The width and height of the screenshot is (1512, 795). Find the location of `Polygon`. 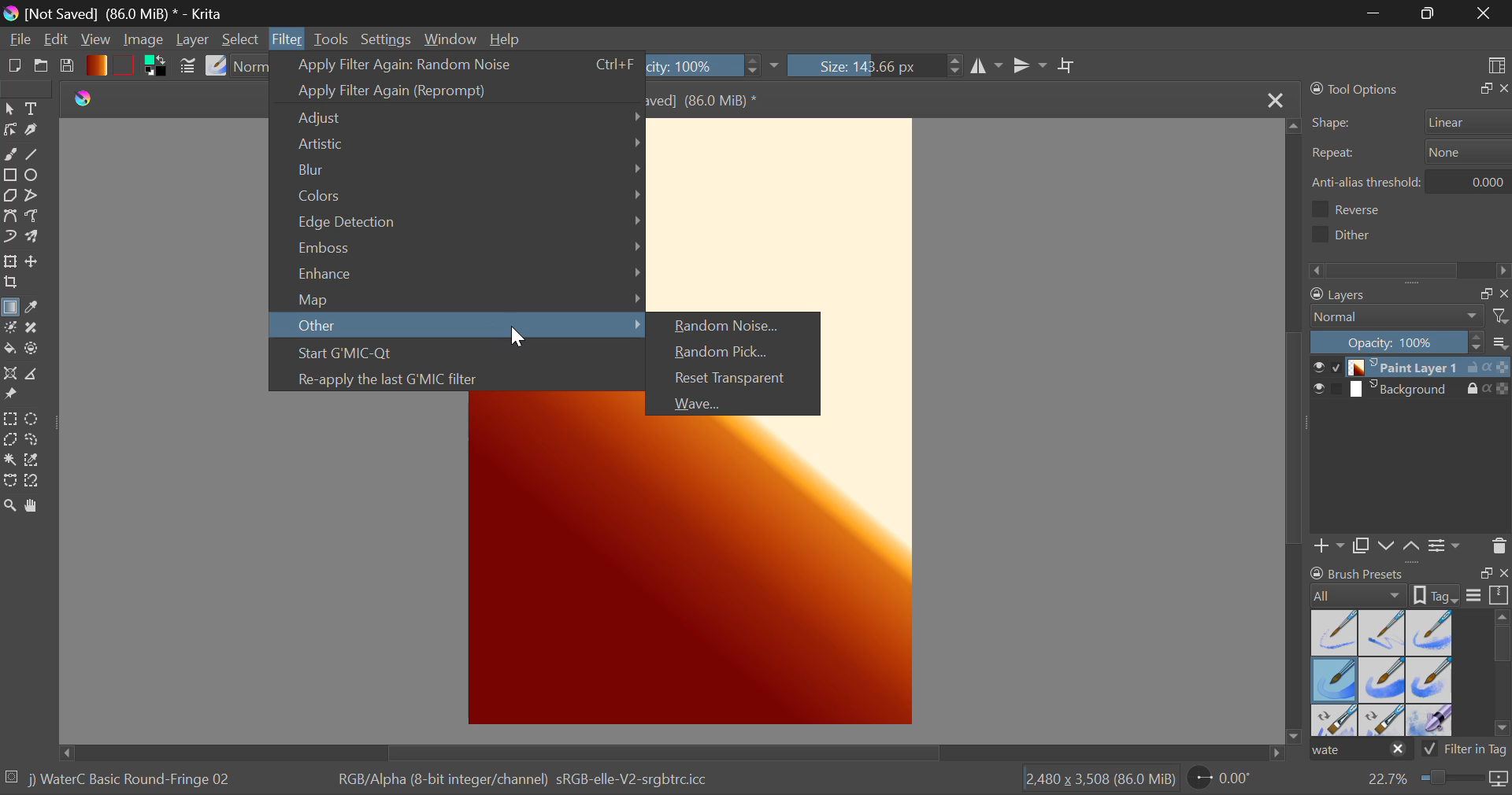

Polygon is located at coordinates (9, 195).